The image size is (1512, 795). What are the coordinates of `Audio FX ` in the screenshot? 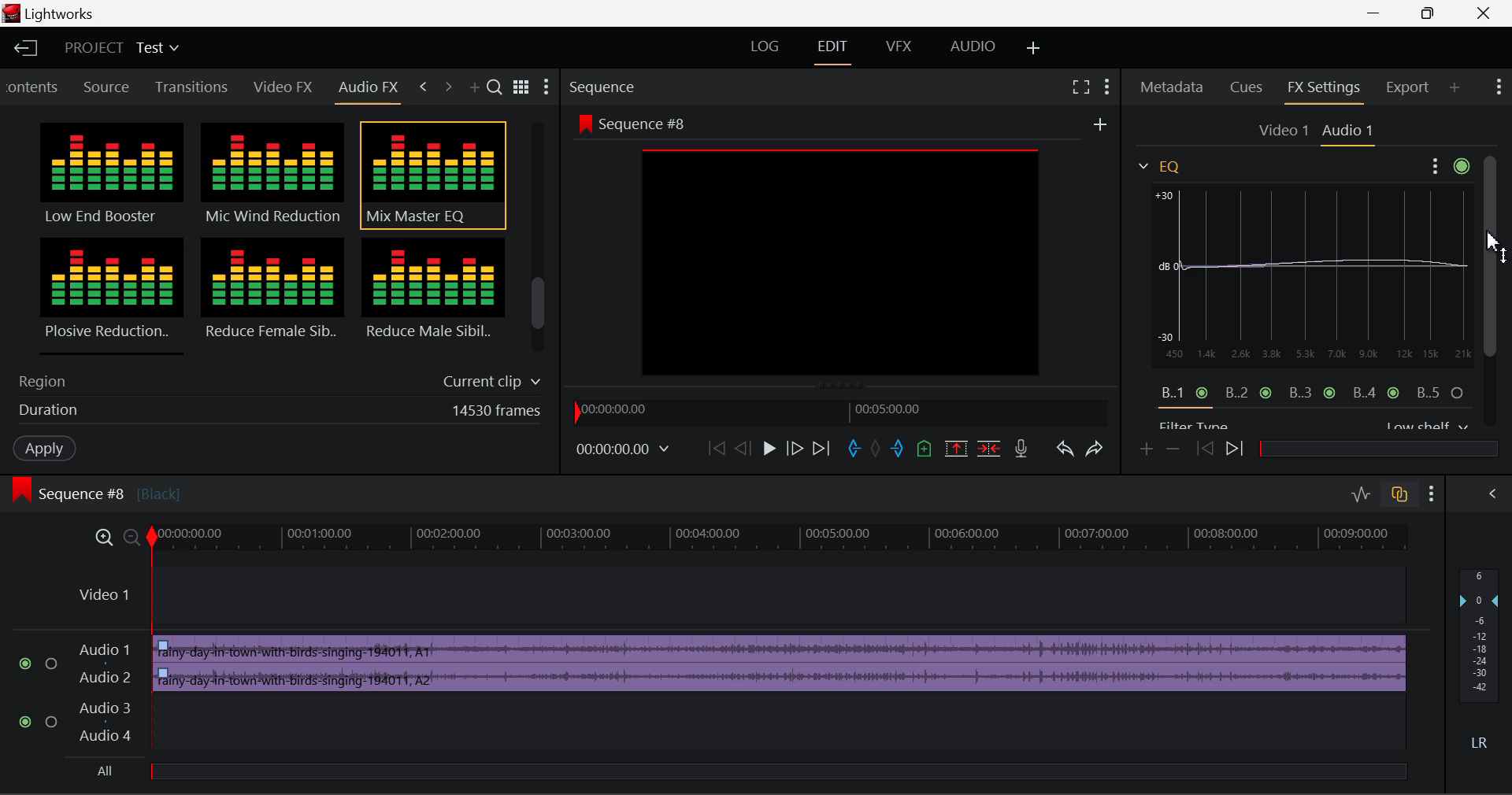 It's located at (369, 87).